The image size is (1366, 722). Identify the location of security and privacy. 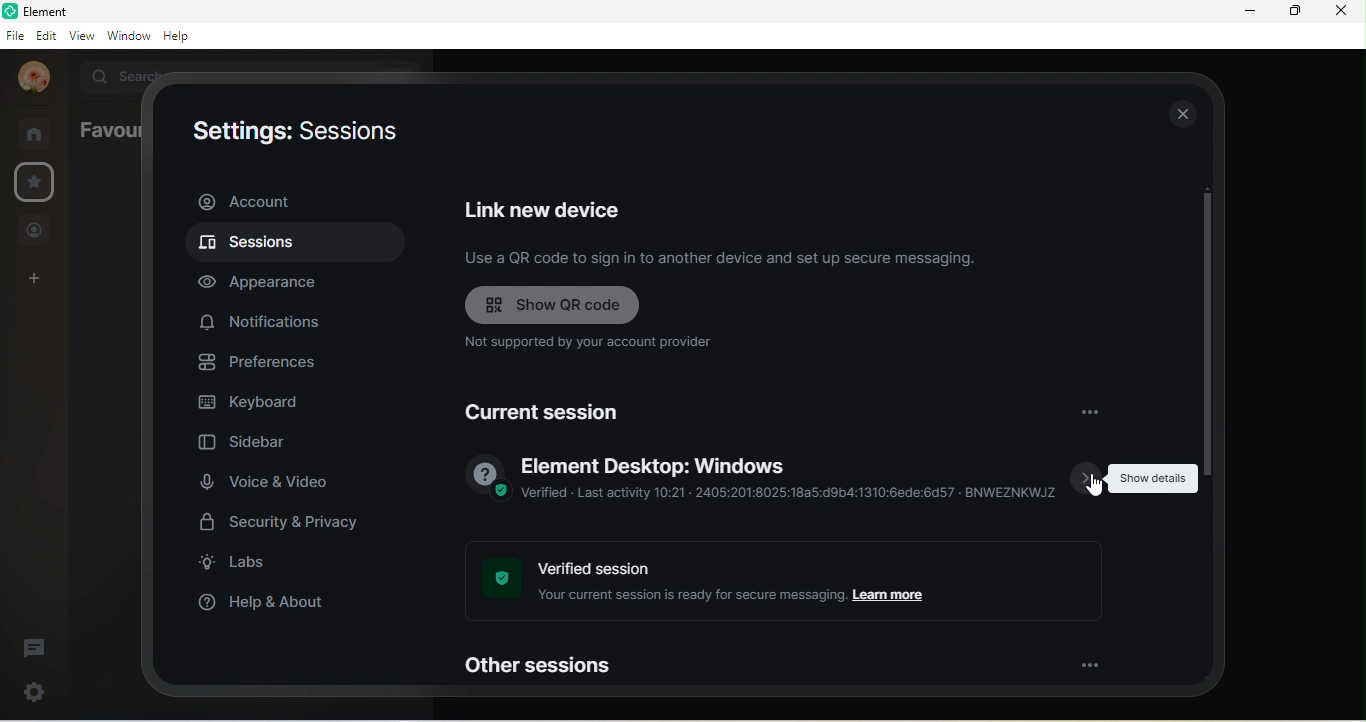
(290, 525).